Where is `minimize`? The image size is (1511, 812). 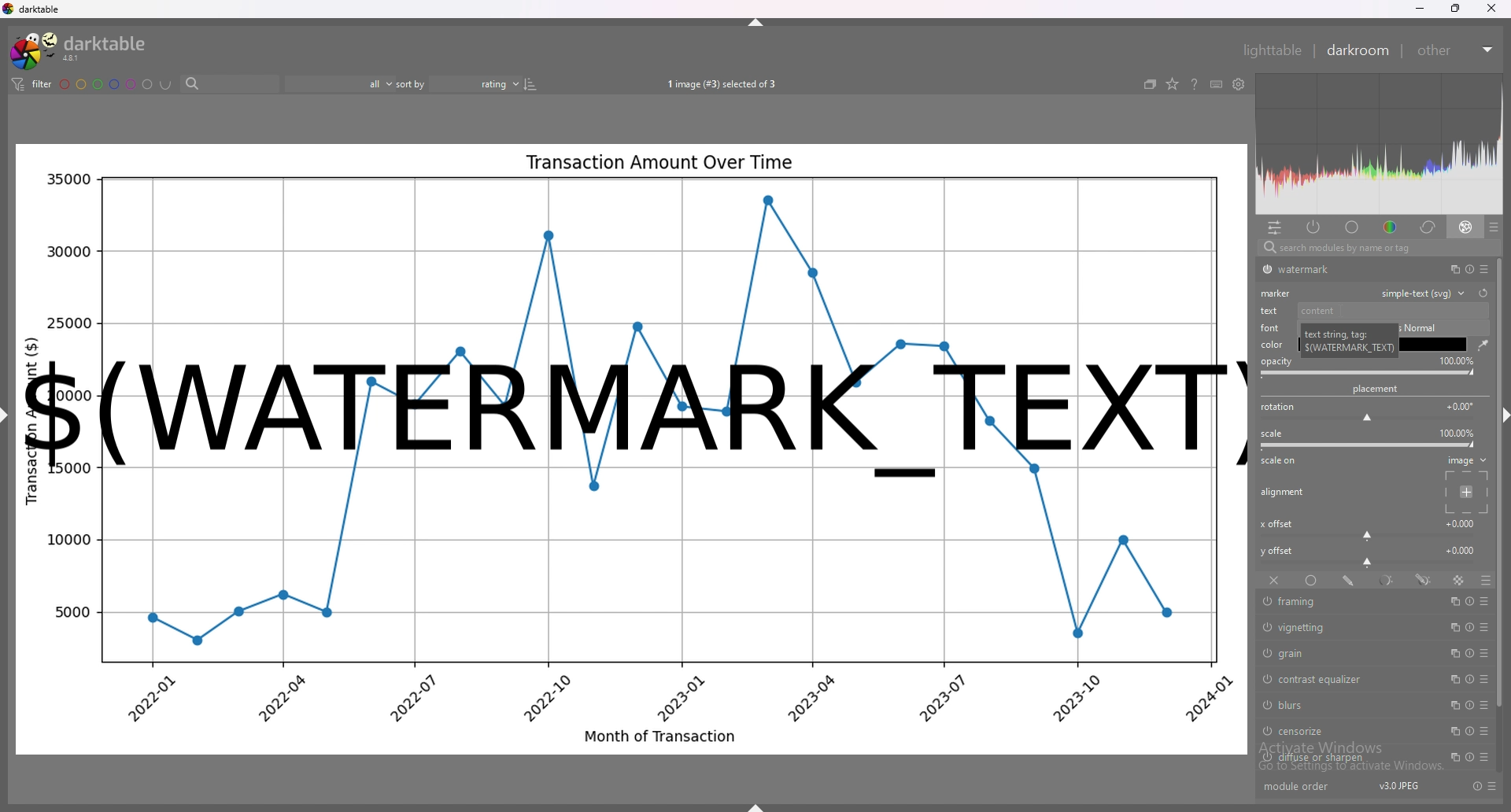
minimize is located at coordinates (1419, 9).